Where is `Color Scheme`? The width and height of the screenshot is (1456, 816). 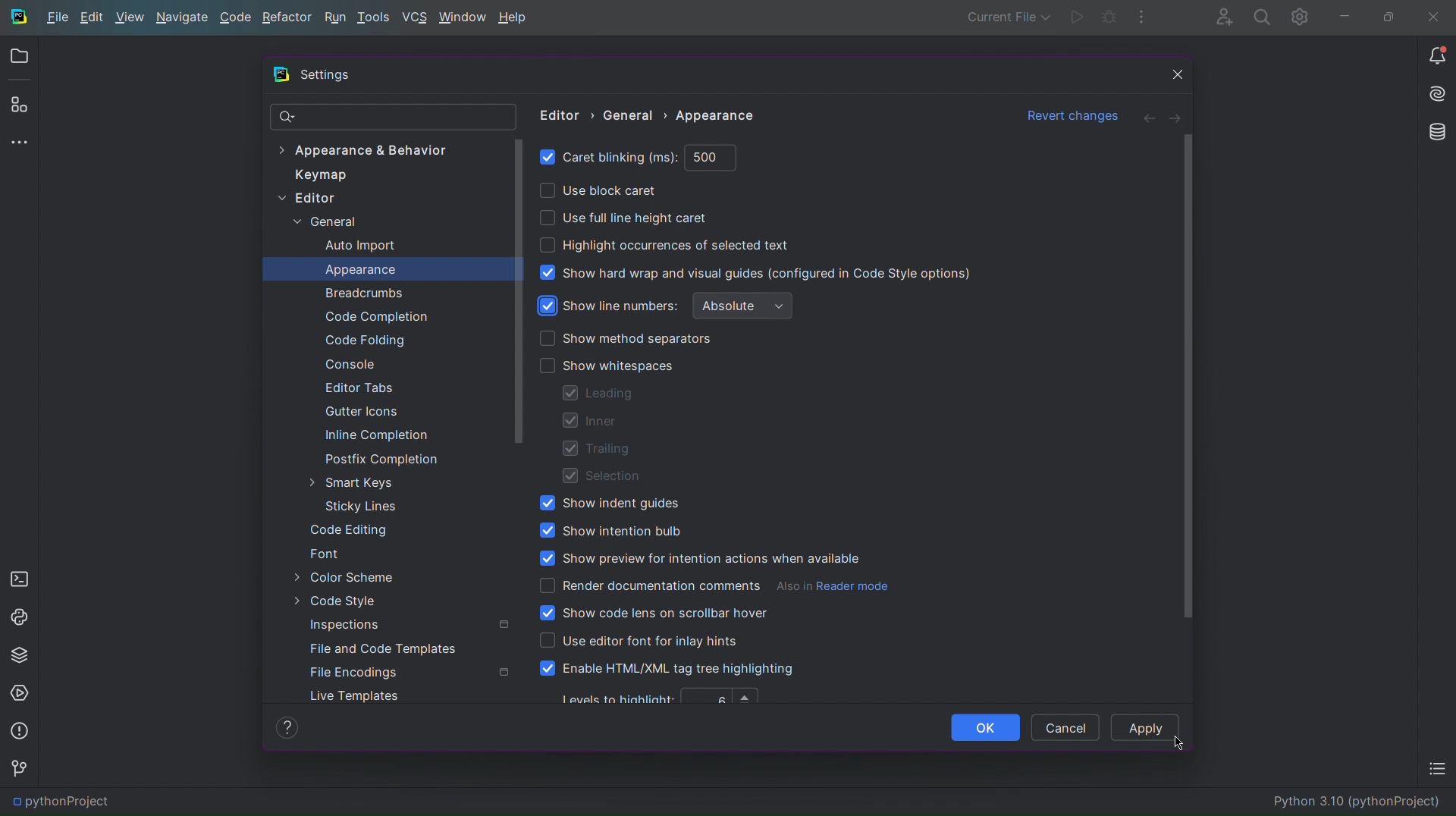
Color Scheme is located at coordinates (352, 578).